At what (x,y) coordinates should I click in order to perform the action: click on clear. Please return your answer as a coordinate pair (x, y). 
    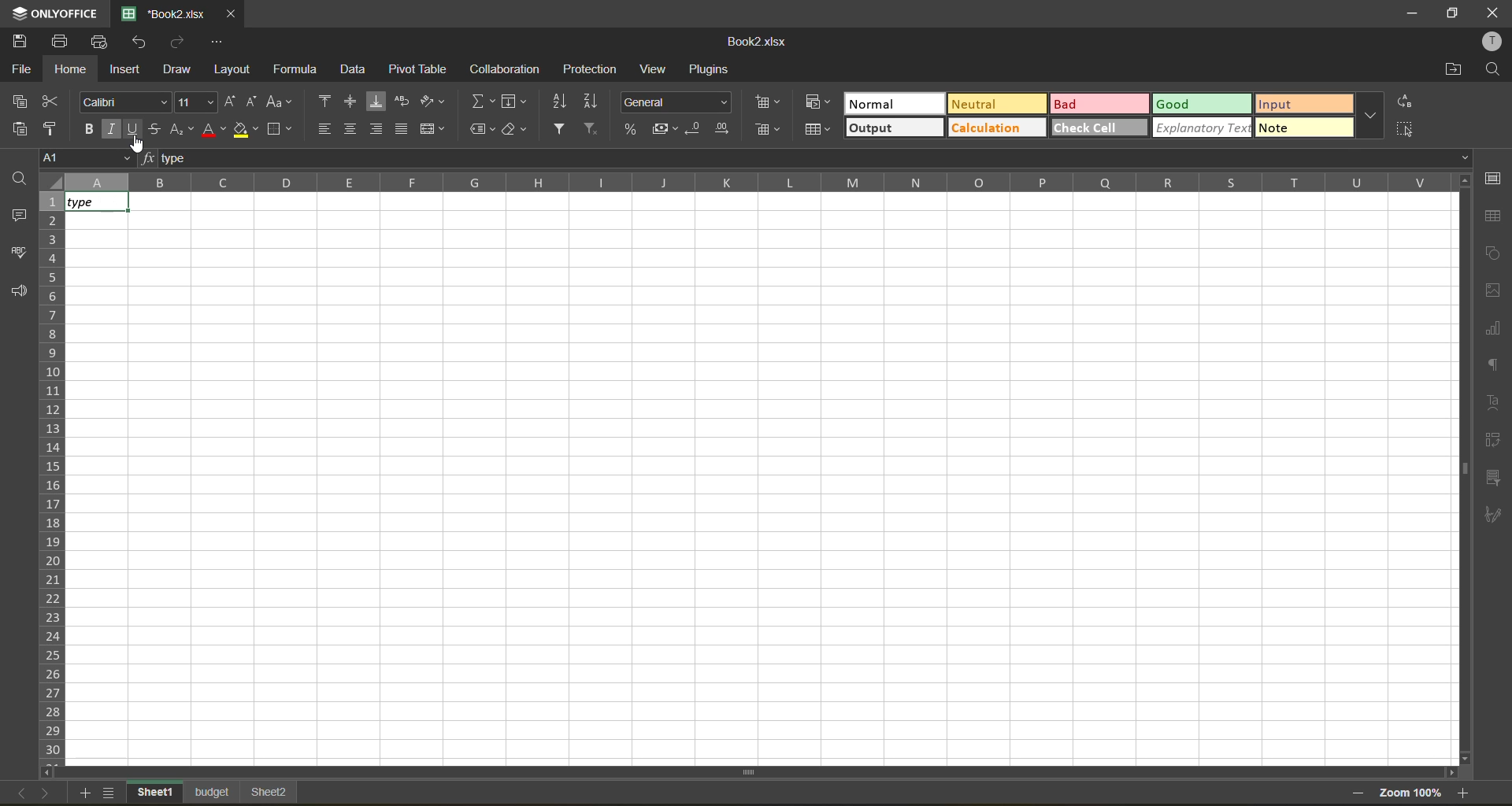
    Looking at the image, I should click on (517, 130).